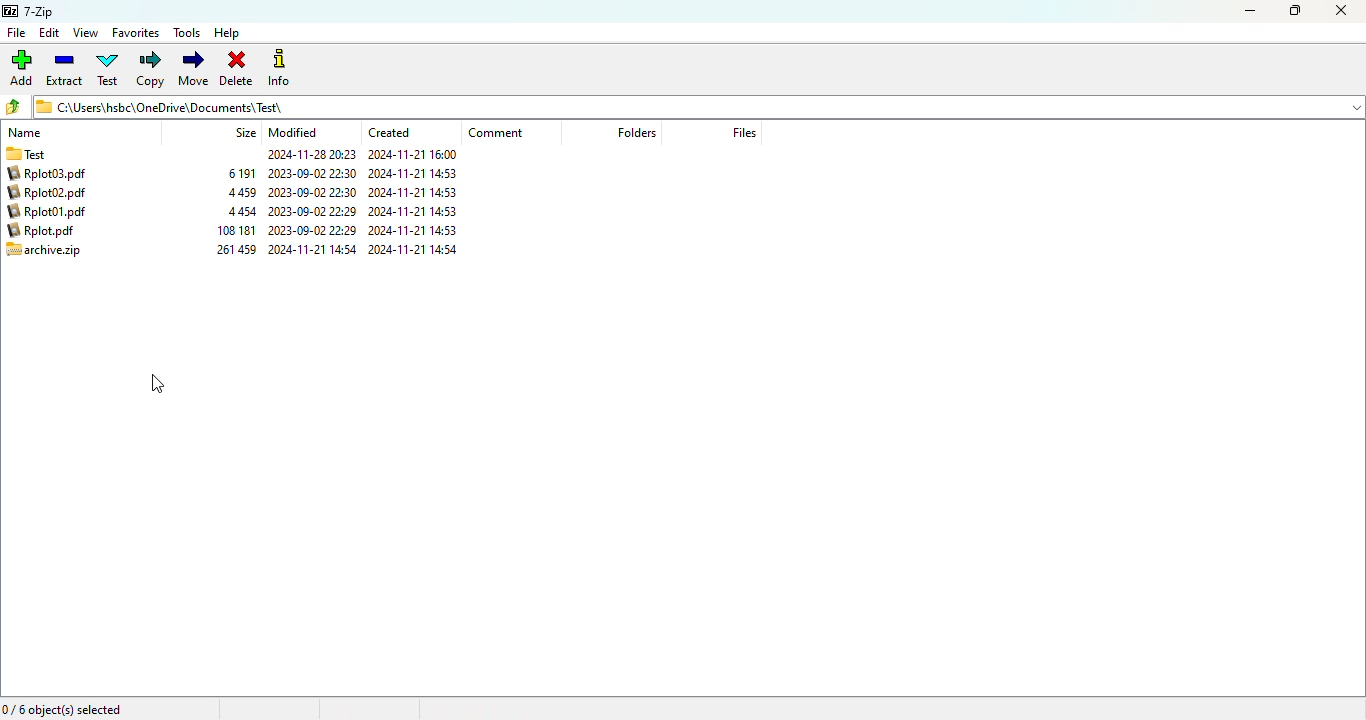 This screenshot has width=1366, height=720. Describe the element at coordinates (415, 229) in the screenshot. I see `2024-11-21 14:53` at that location.